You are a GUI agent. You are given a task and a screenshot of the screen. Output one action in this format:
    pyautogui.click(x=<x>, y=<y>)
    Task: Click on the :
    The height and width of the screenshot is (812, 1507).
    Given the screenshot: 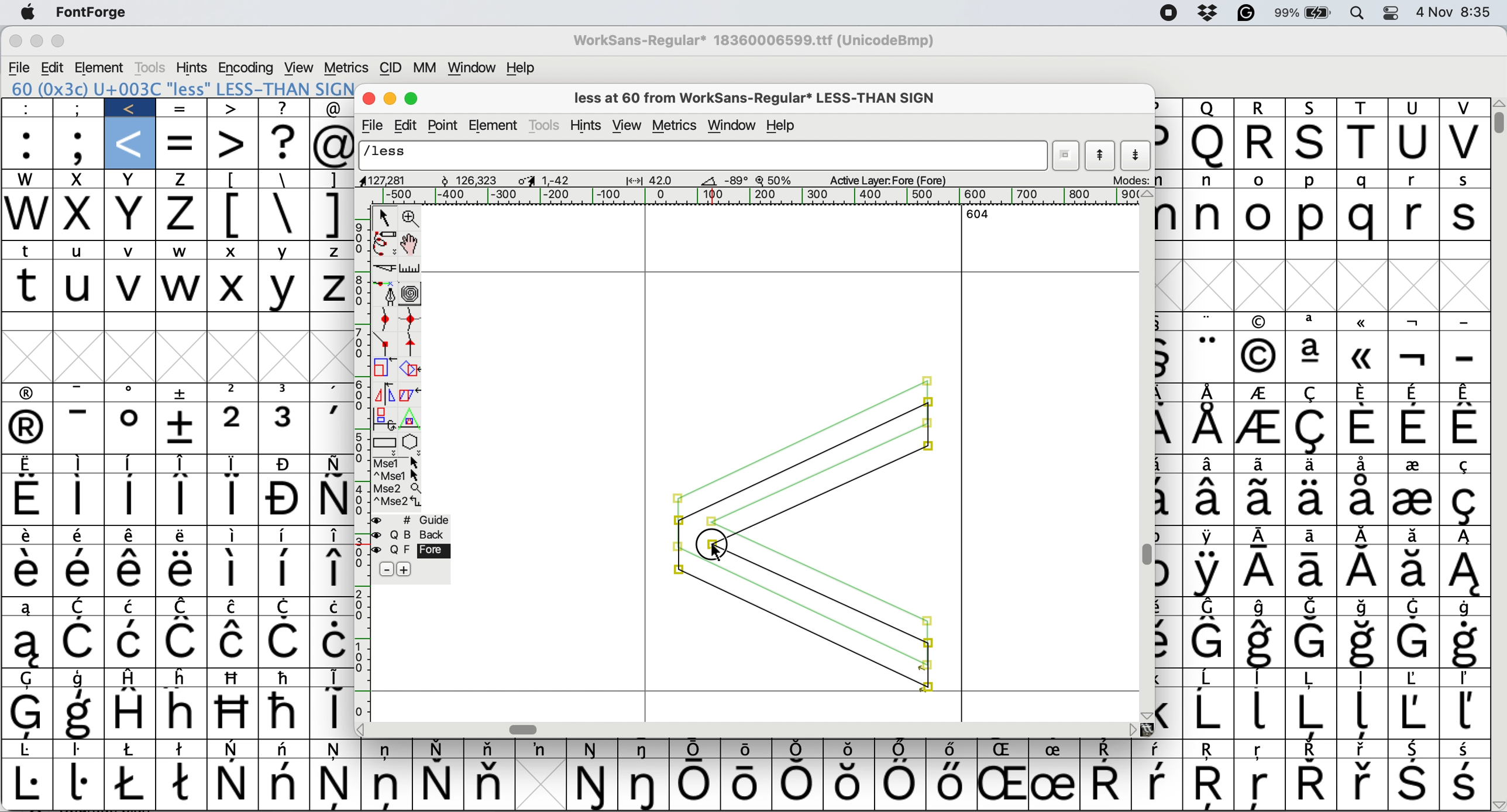 What is the action you would take?
    pyautogui.click(x=27, y=143)
    